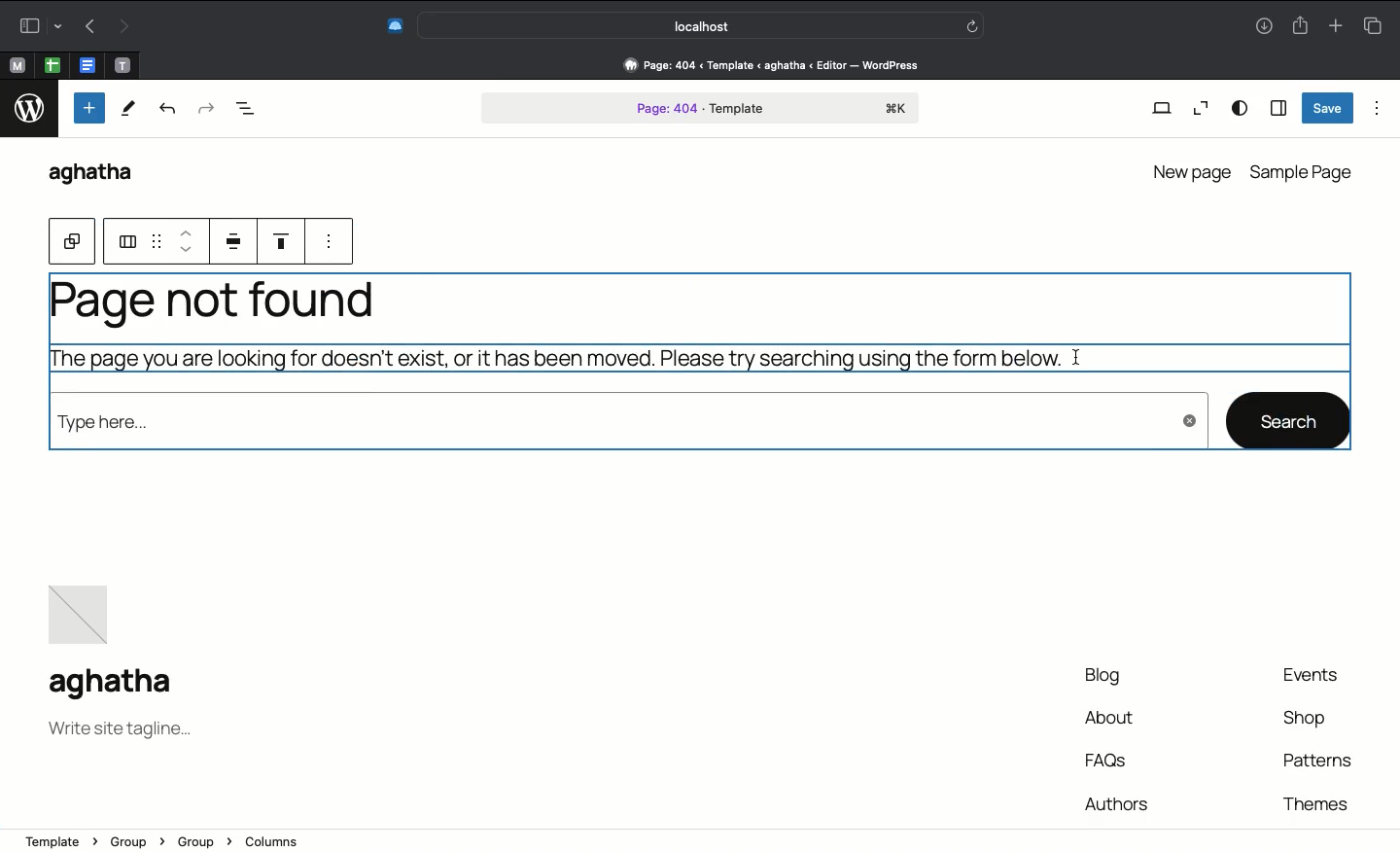 The image size is (1400, 852). Describe the element at coordinates (290, 240) in the screenshot. I see `justification` at that location.